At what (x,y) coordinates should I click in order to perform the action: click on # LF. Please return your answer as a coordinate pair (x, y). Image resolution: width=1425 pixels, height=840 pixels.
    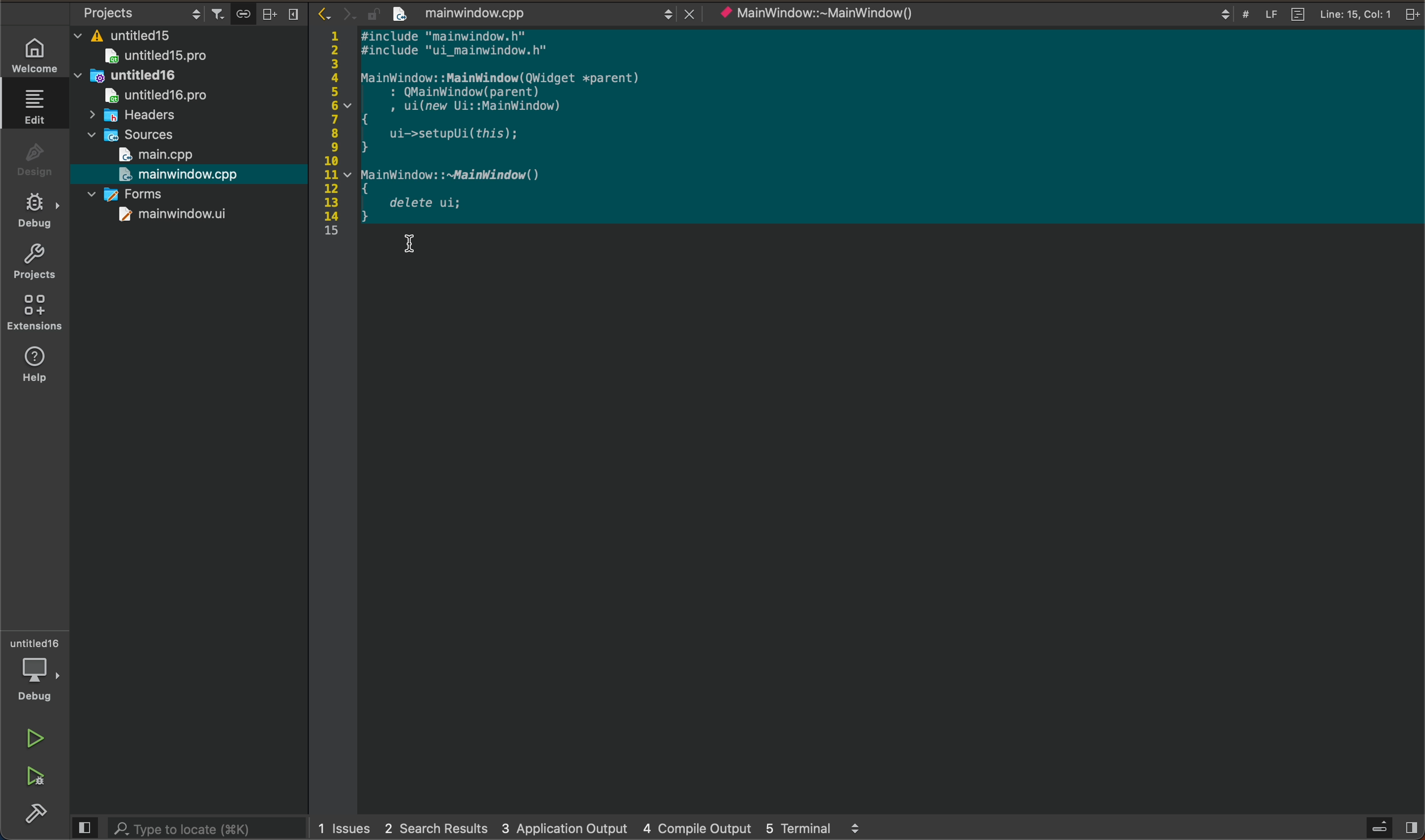
    Looking at the image, I should click on (1262, 14).